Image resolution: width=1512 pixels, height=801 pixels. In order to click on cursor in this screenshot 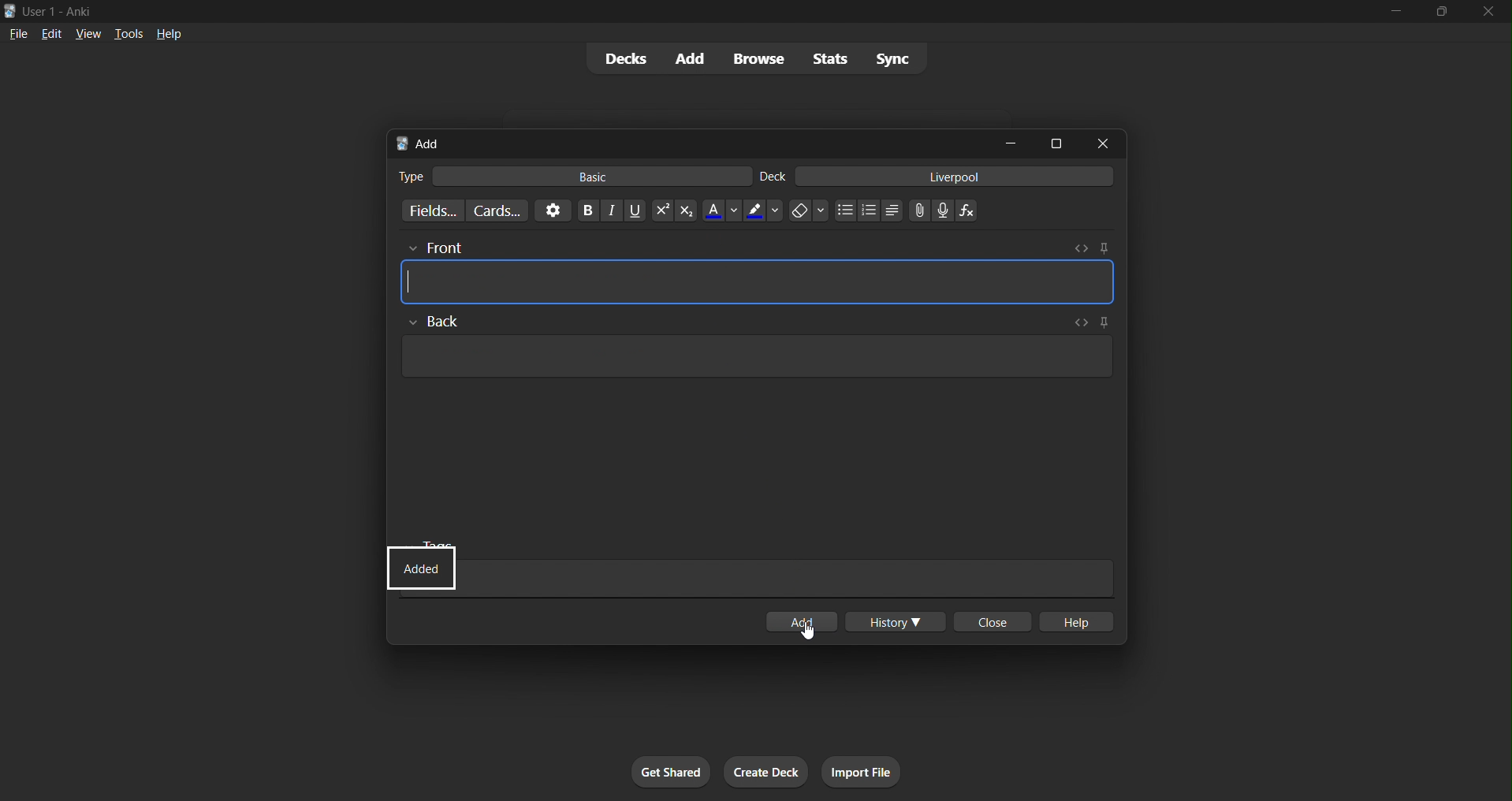, I will do `click(814, 640)`.